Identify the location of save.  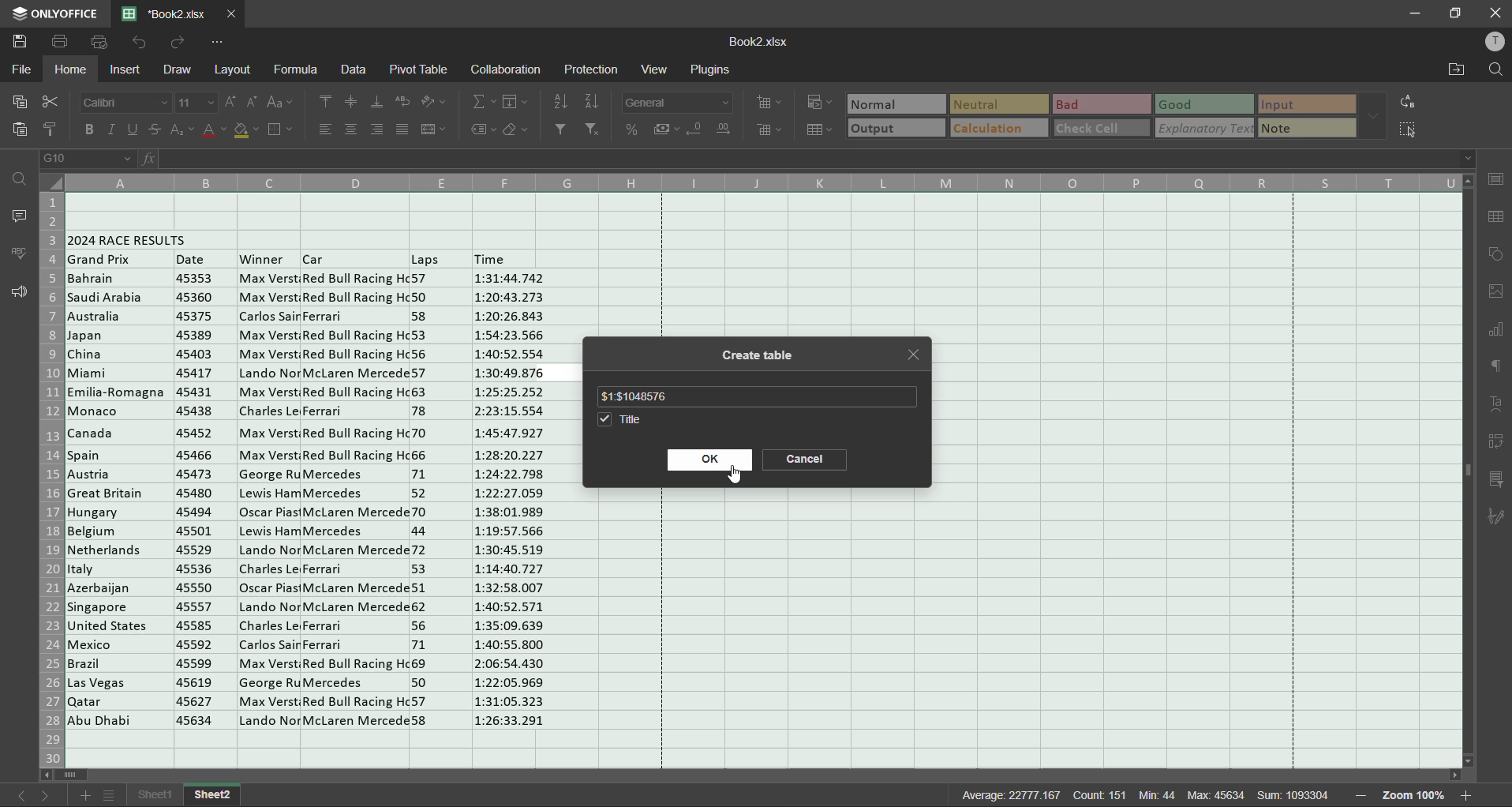
(62, 44).